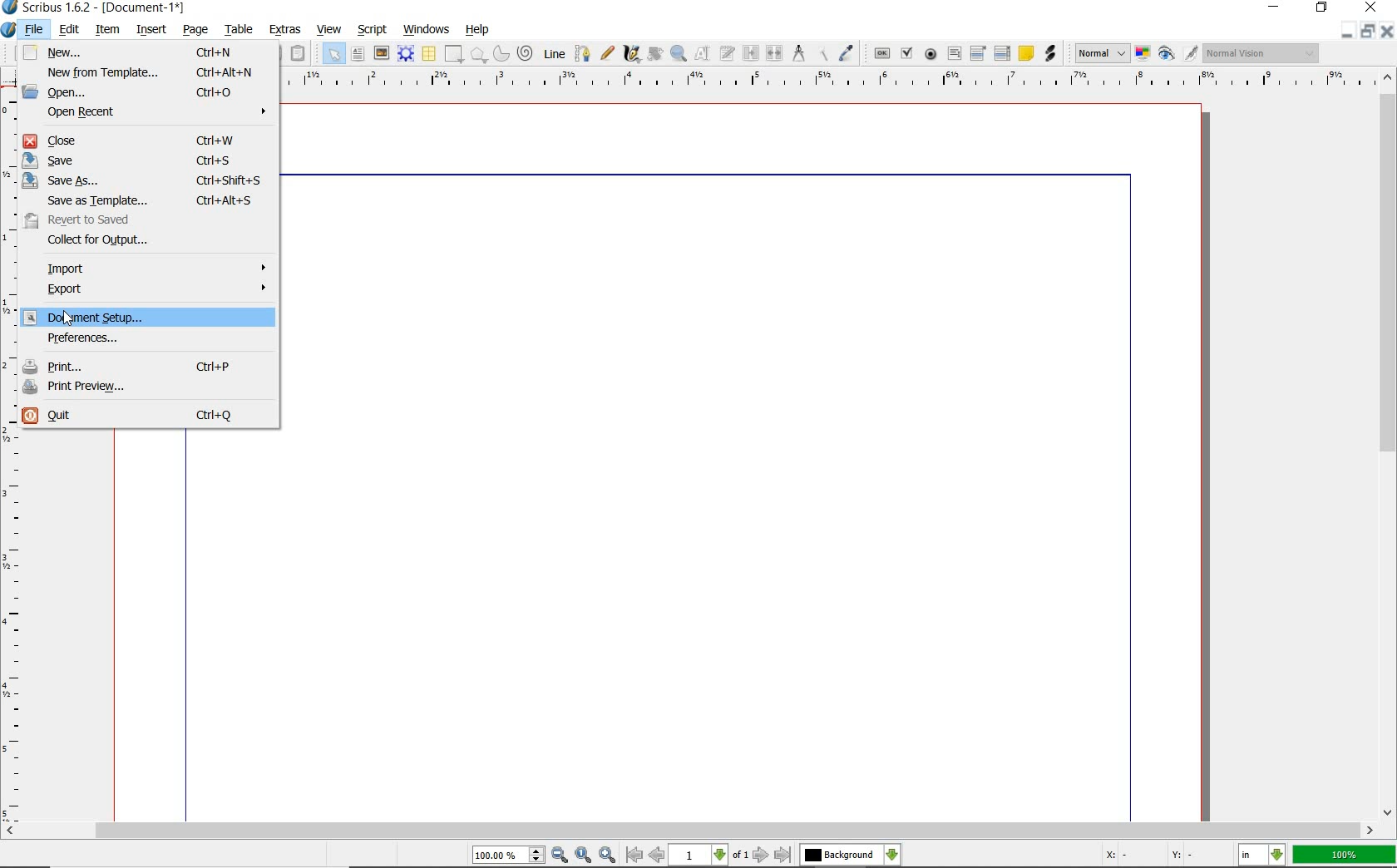 The height and width of the screenshot is (868, 1397). What do you see at coordinates (689, 831) in the screenshot?
I see `scrollbar` at bounding box center [689, 831].